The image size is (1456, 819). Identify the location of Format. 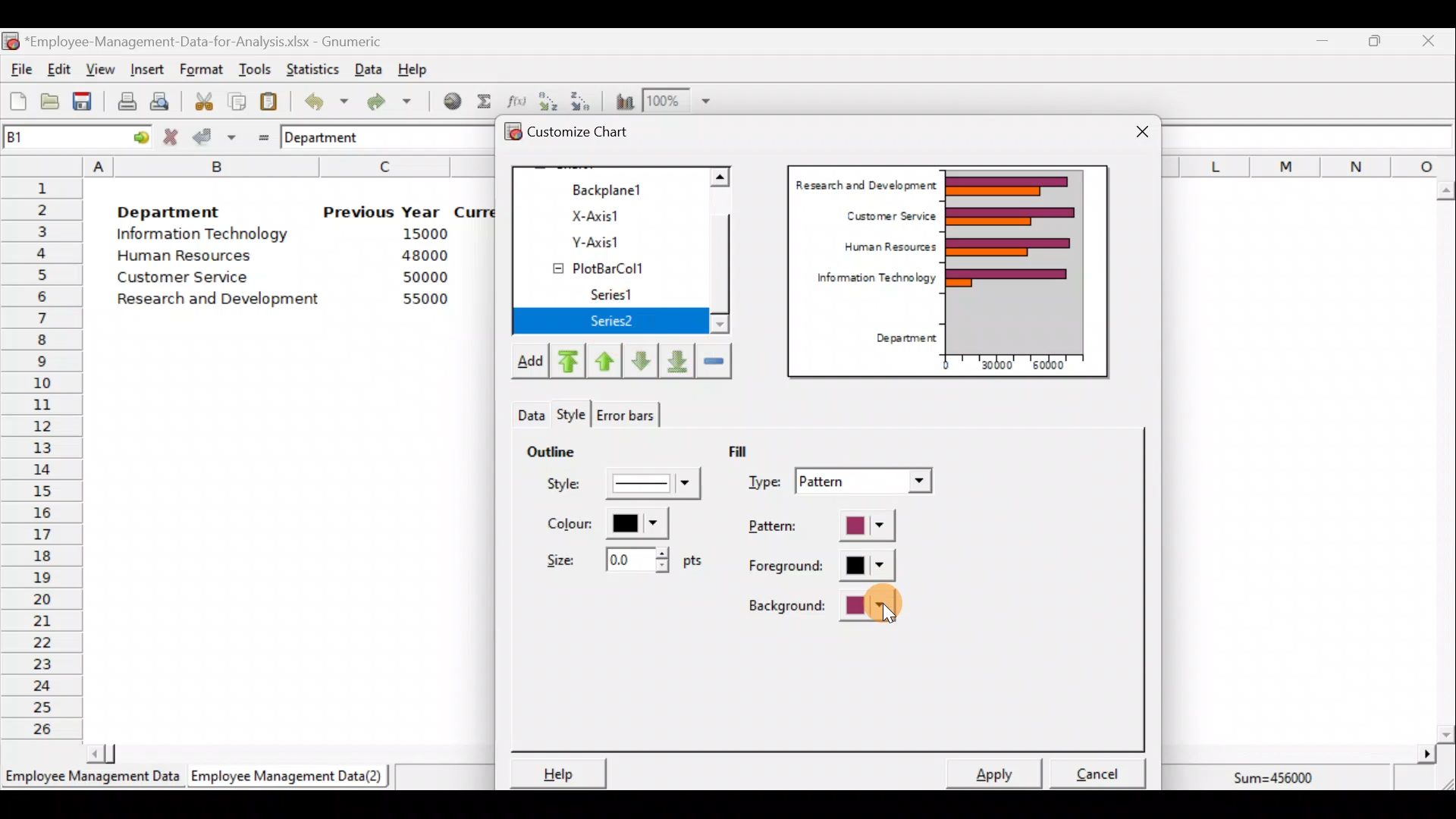
(201, 71).